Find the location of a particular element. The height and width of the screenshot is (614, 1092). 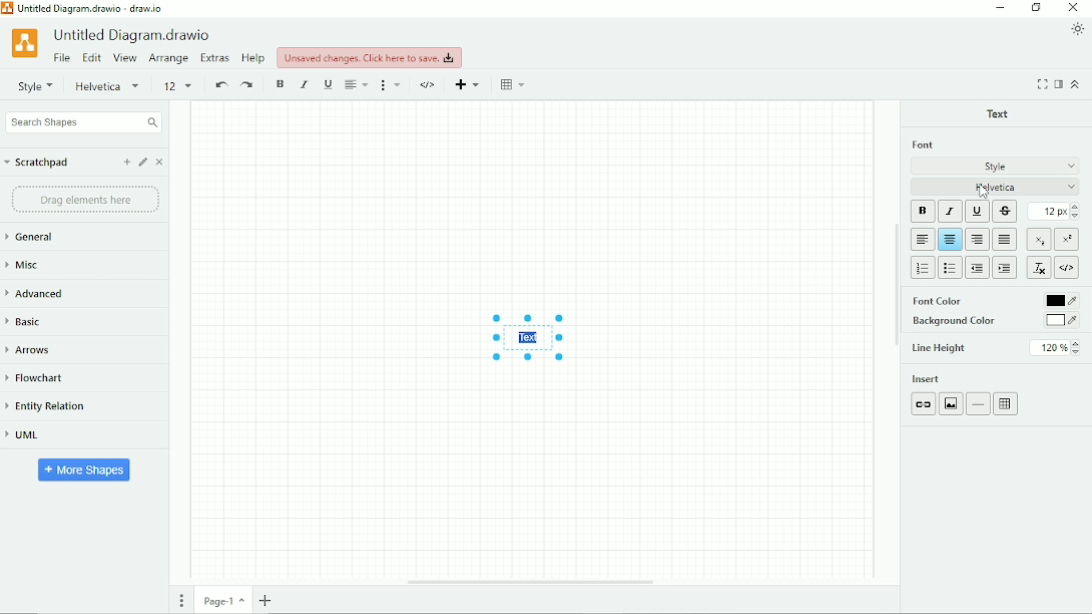

More Shapes is located at coordinates (85, 470).